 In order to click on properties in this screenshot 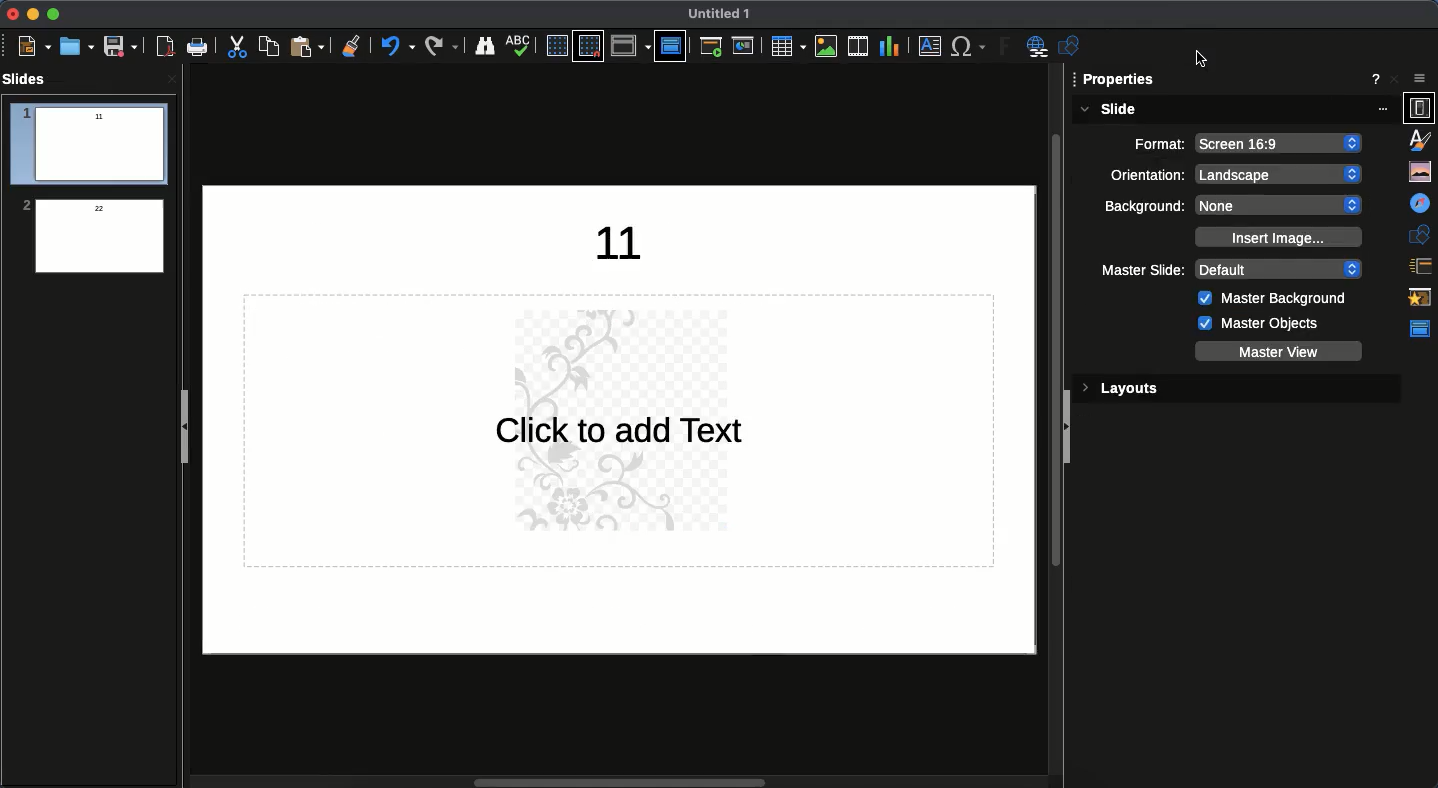, I will do `click(1122, 81)`.